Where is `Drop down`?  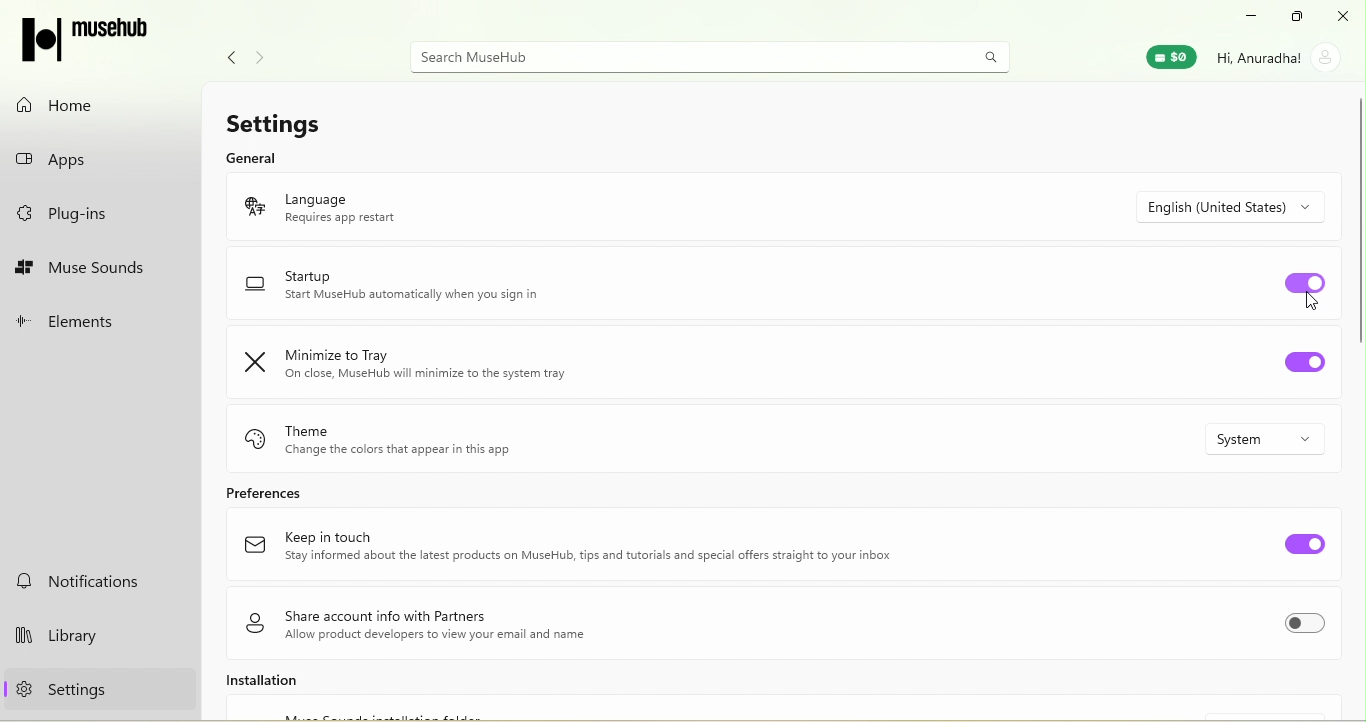
Drop down is located at coordinates (1245, 206).